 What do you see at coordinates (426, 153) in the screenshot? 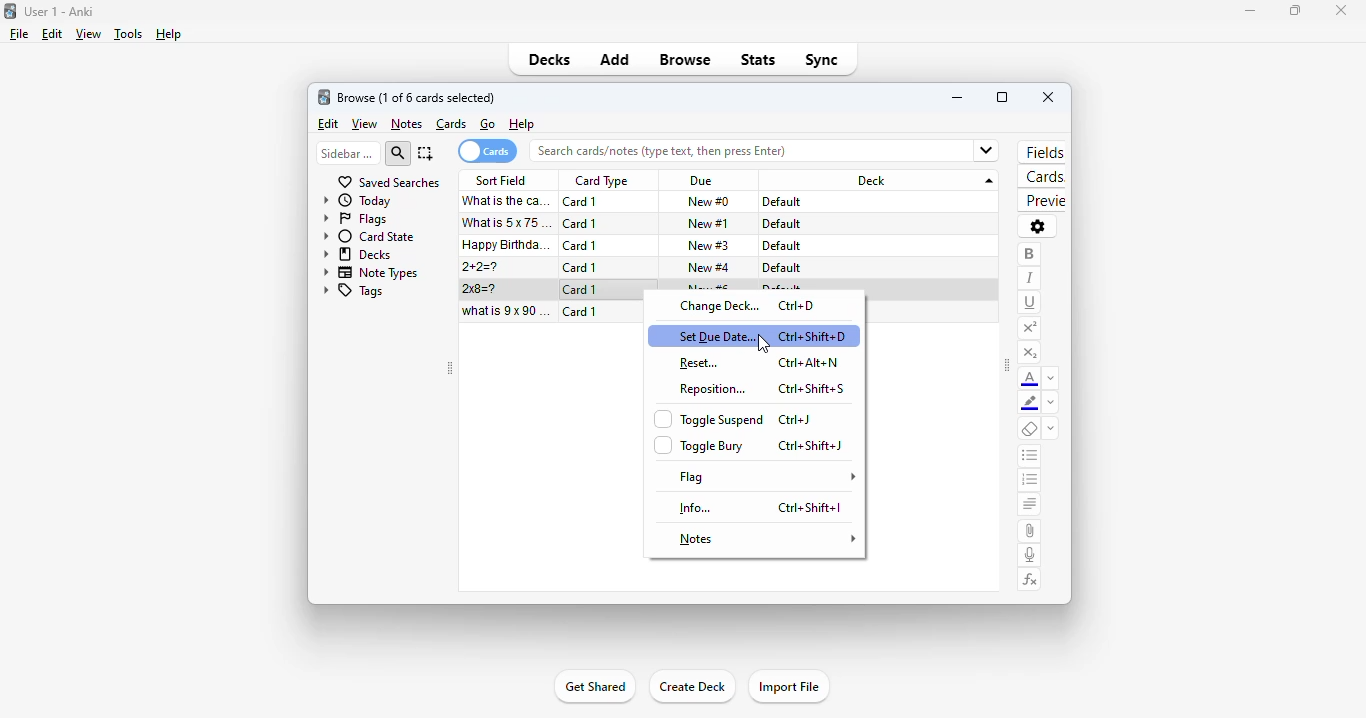
I see `select` at bounding box center [426, 153].